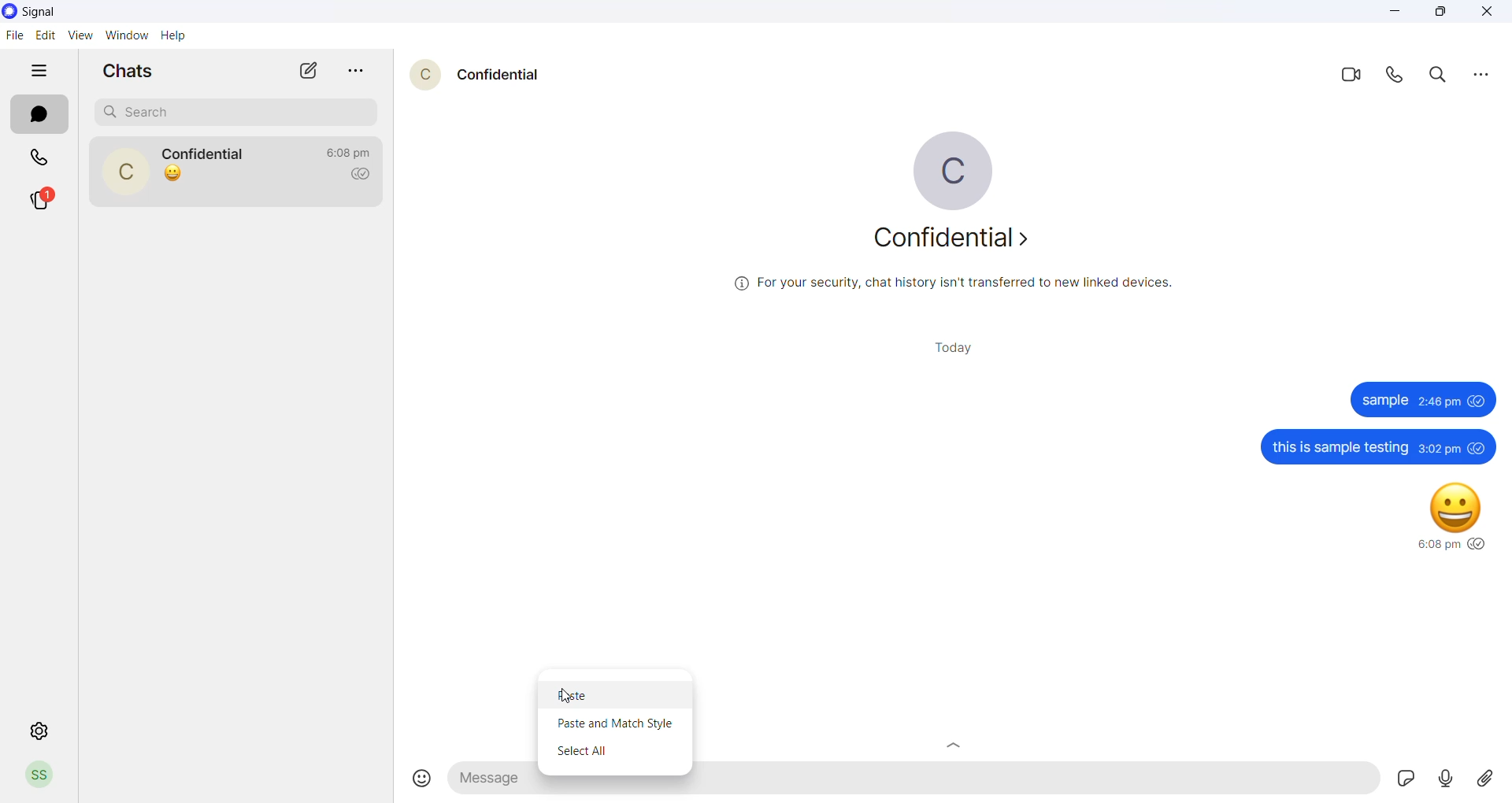 Image resolution: width=1512 pixels, height=803 pixels. I want to click on emojis, so click(417, 775).